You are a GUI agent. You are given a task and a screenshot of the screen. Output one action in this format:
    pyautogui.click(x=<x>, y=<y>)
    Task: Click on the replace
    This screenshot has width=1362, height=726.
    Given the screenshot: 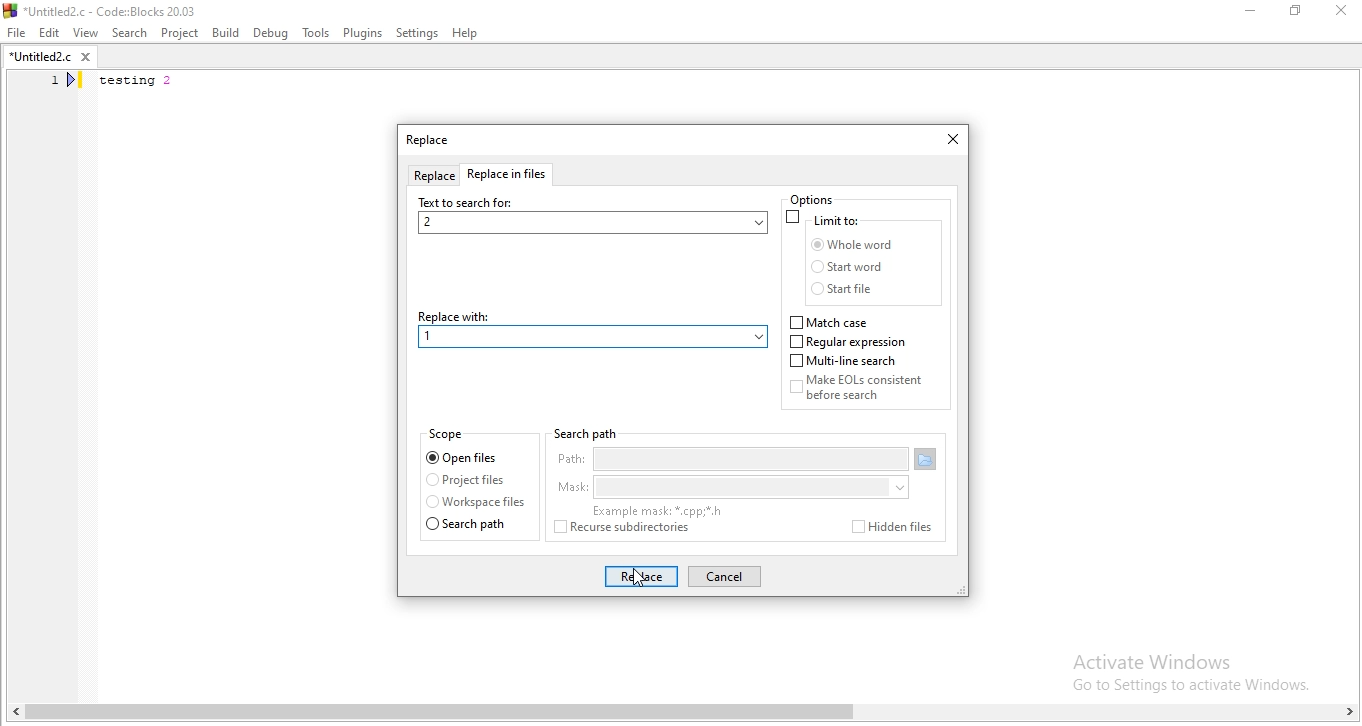 What is the action you would take?
    pyautogui.click(x=640, y=577)
    